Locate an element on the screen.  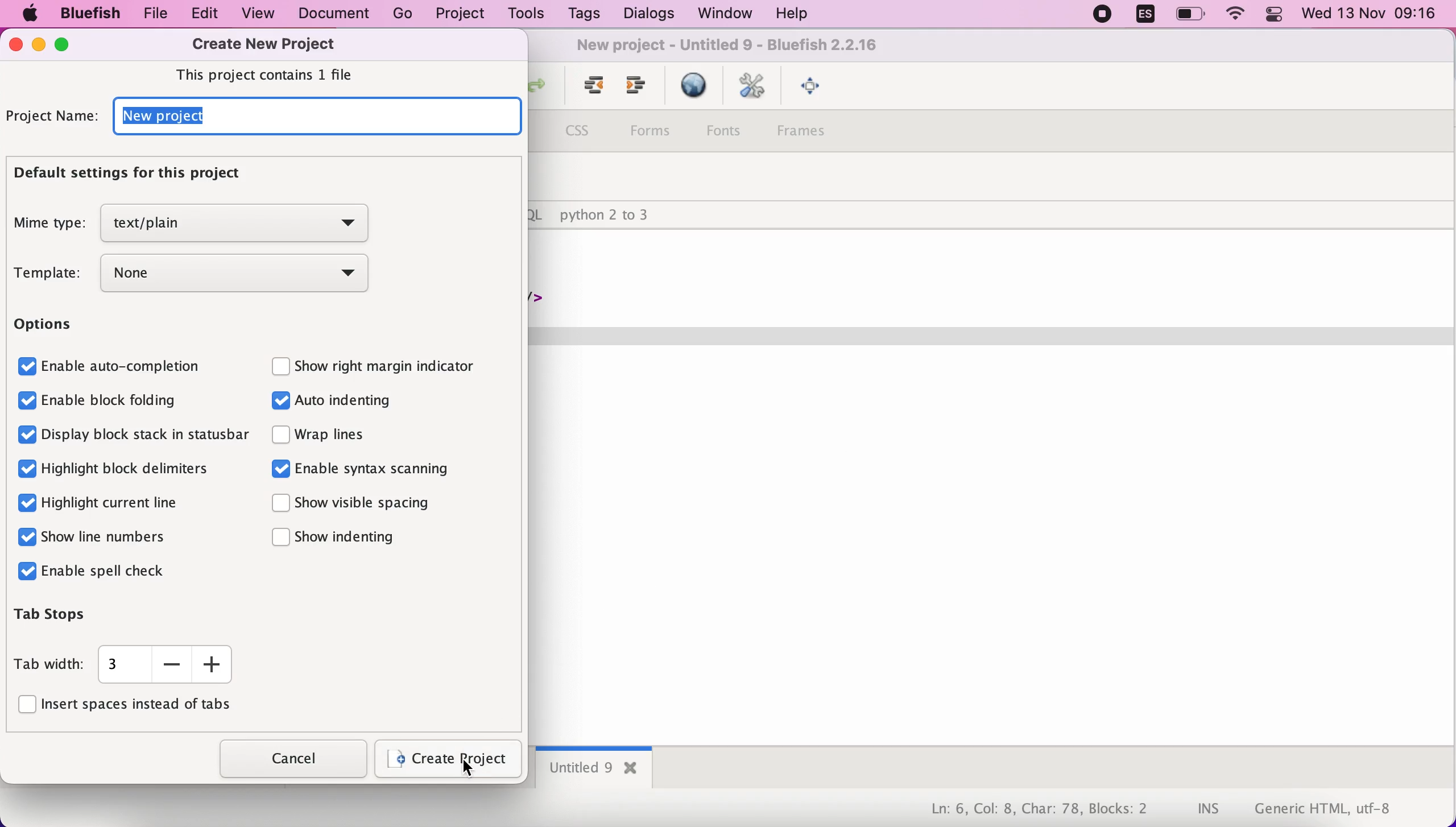
file is located at coordinates (150, 14).